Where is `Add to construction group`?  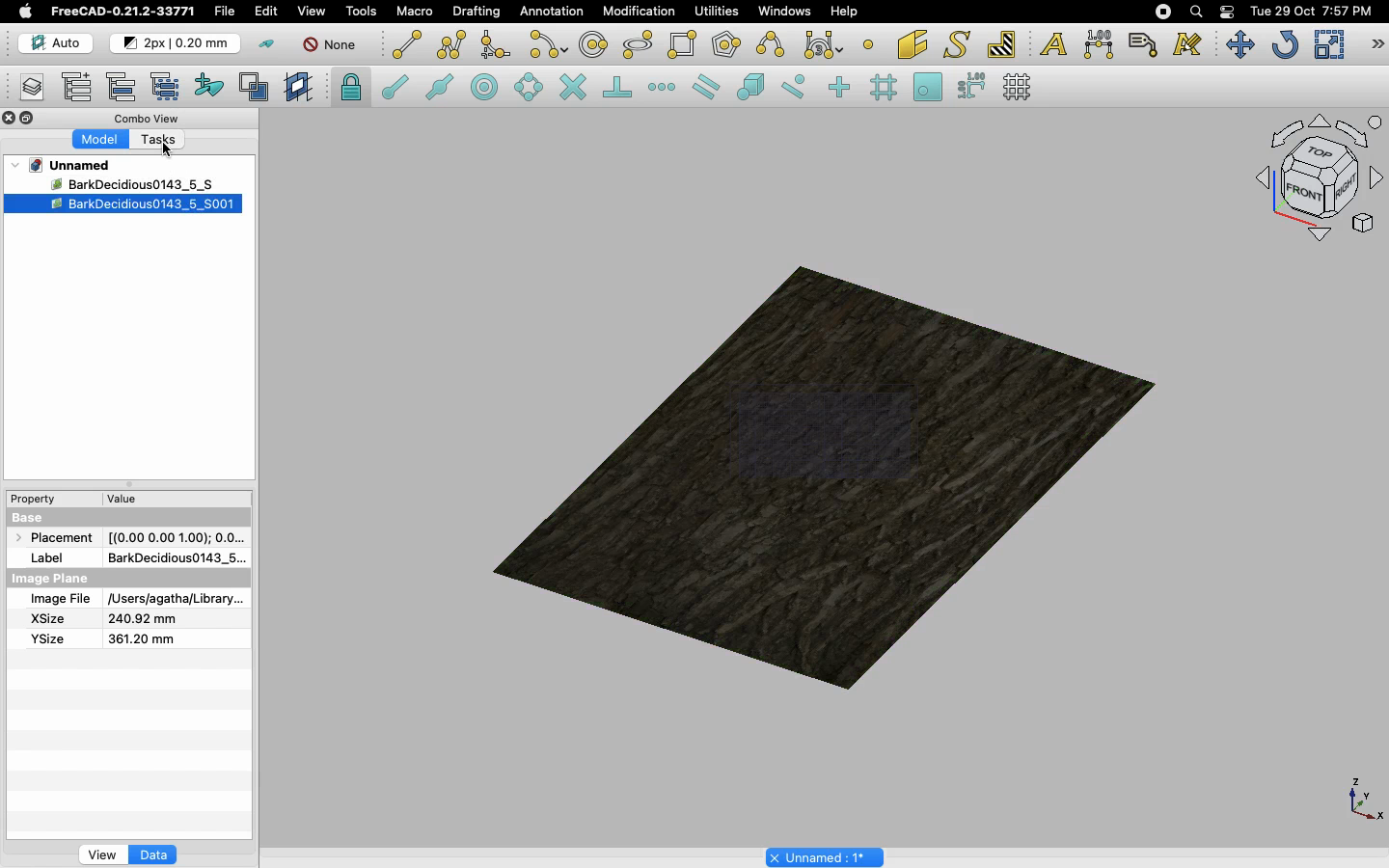 Add to construction group is located at coordinates (210, 84).